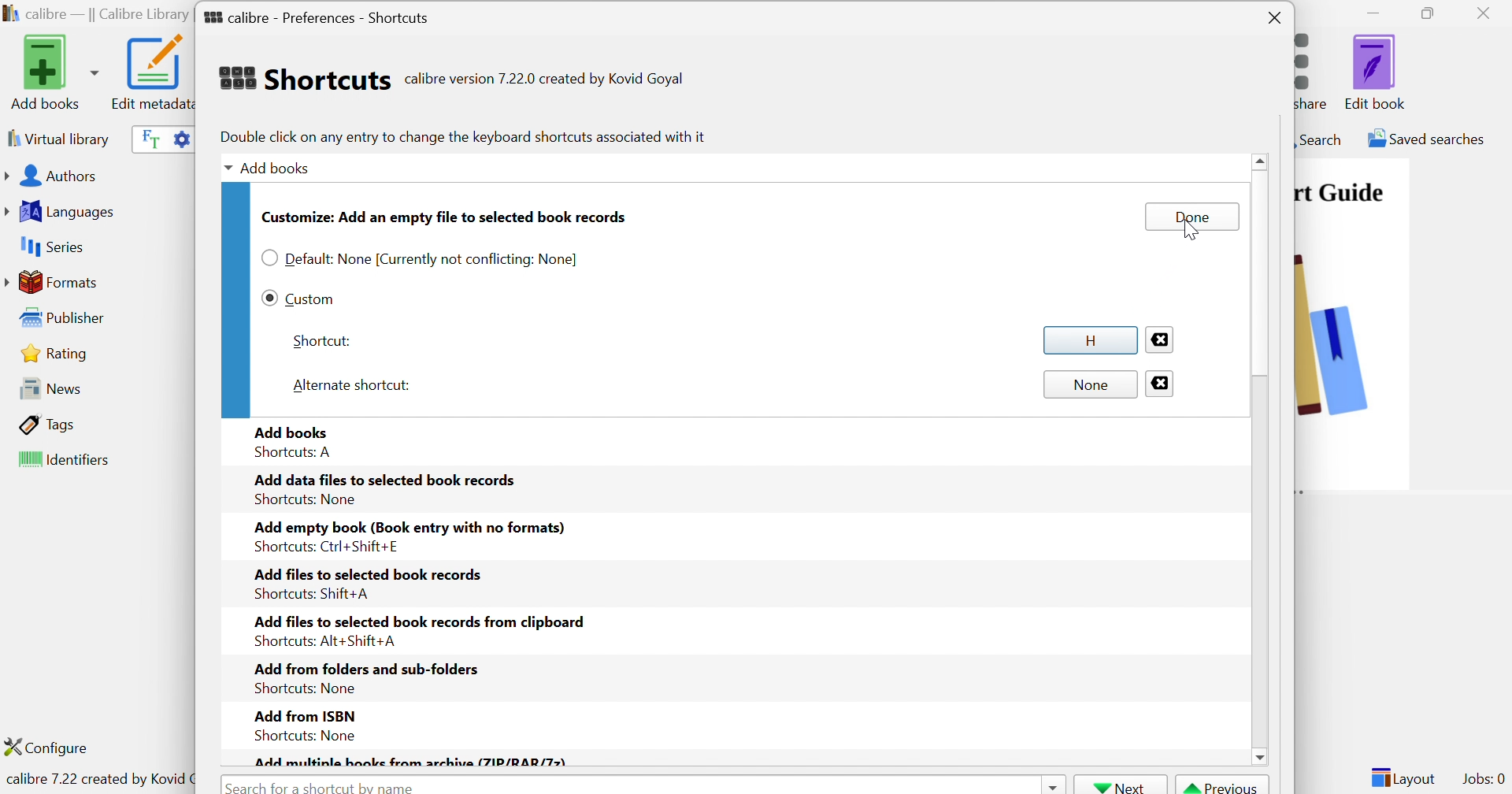 The width and height of the screenshot is (1512, 794). Describe the element at coordinates (1088, 339) in the screenshot. I see `H` at that location.